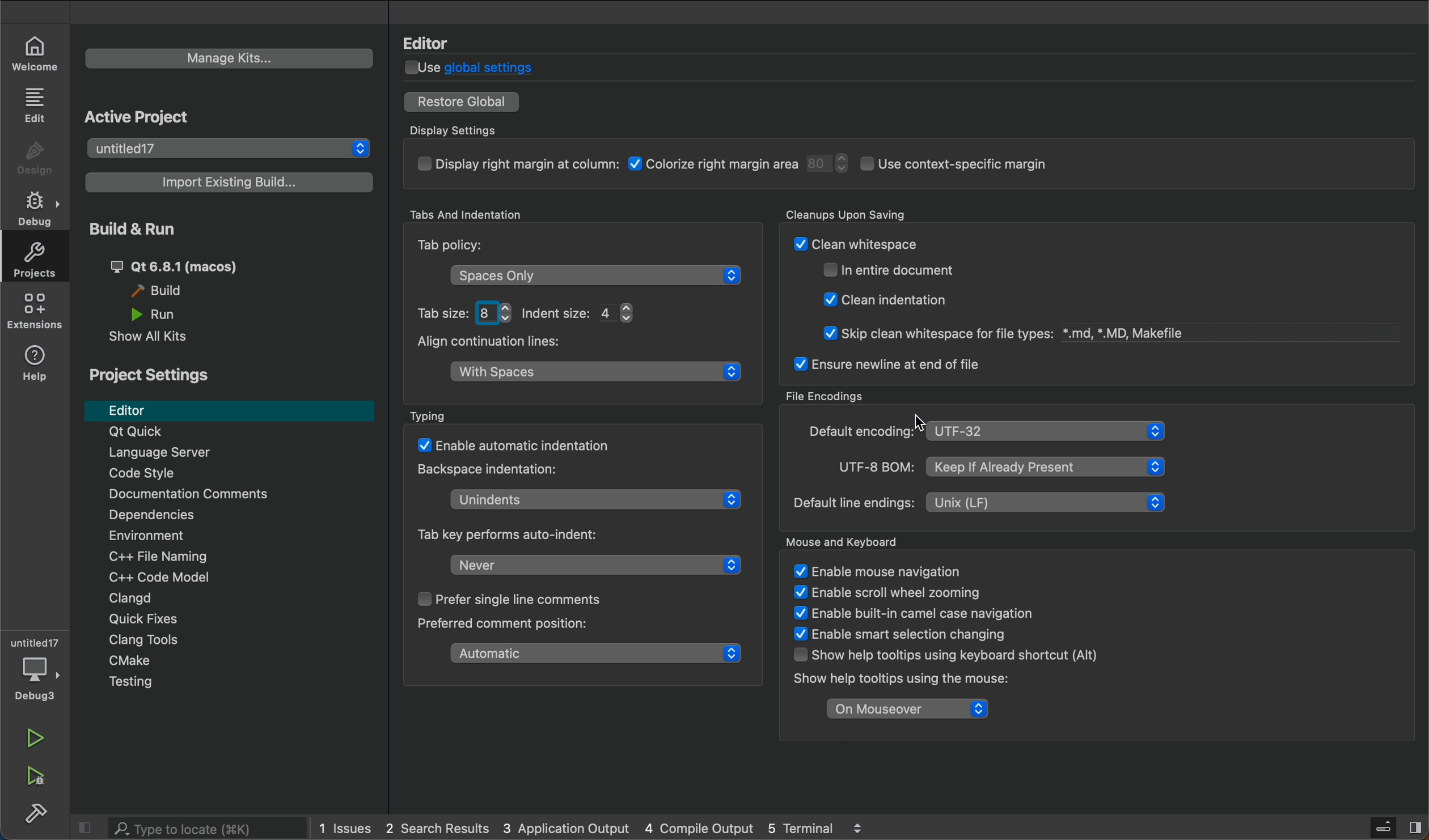 The image size is (1429, 840). What do you see at coordinates (435, 416) in the screenshot?
I see `Typing` at bounding box center [435, 416].